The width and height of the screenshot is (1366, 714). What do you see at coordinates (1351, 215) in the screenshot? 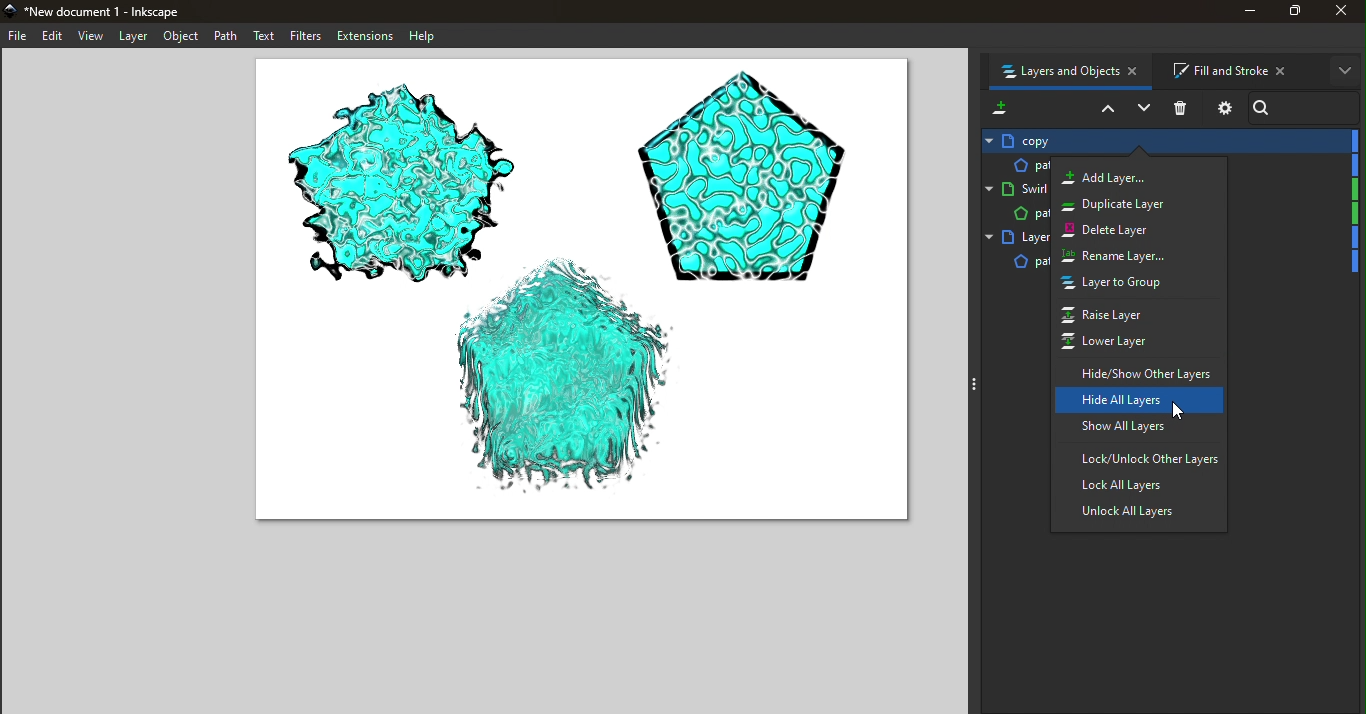
I see `colors of the layers` at bounding box center [1351, 215].